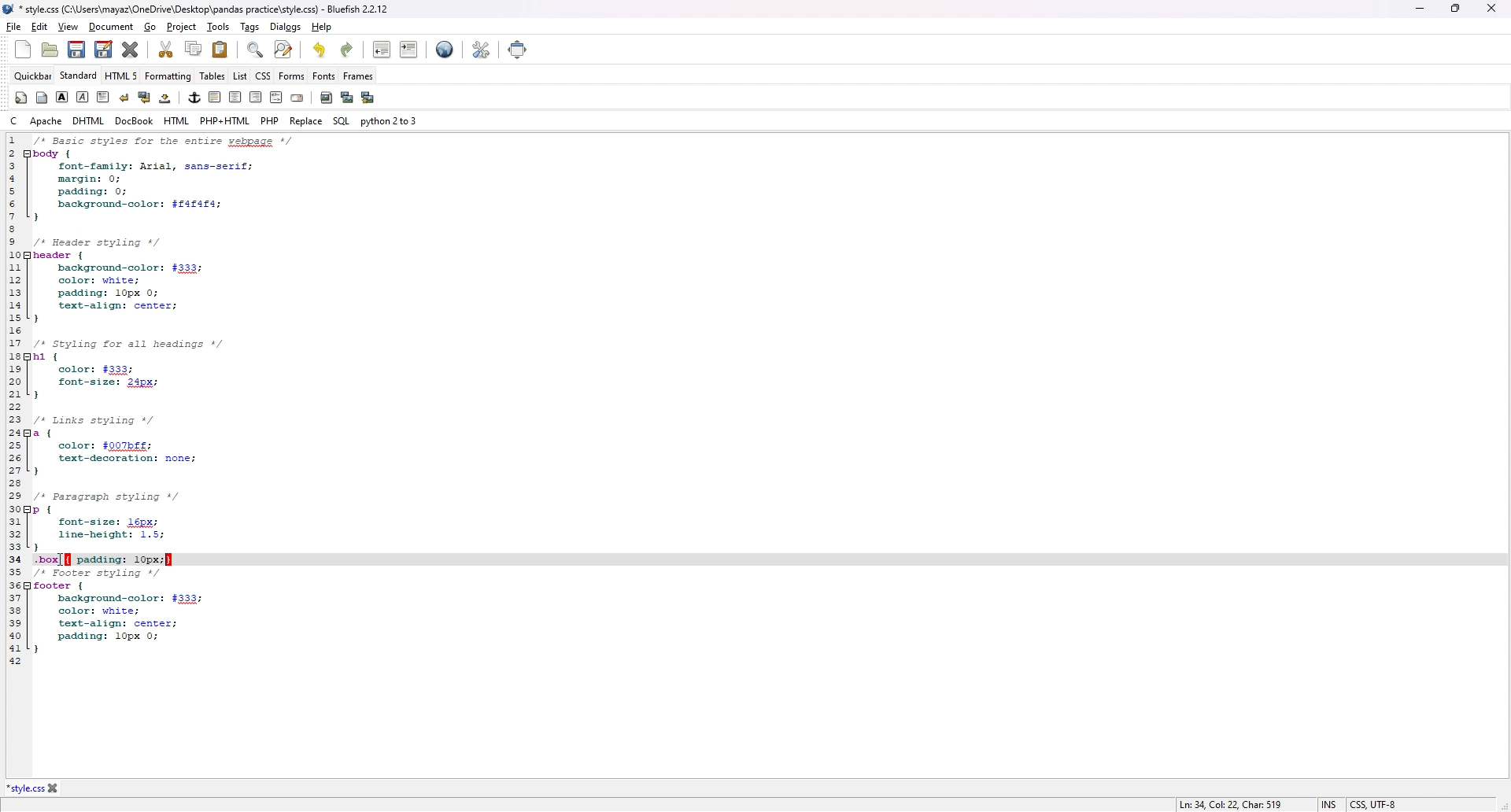 This screenshot has height=812, width=1511. I want to click on insert thumbnail, so click(346, 98).